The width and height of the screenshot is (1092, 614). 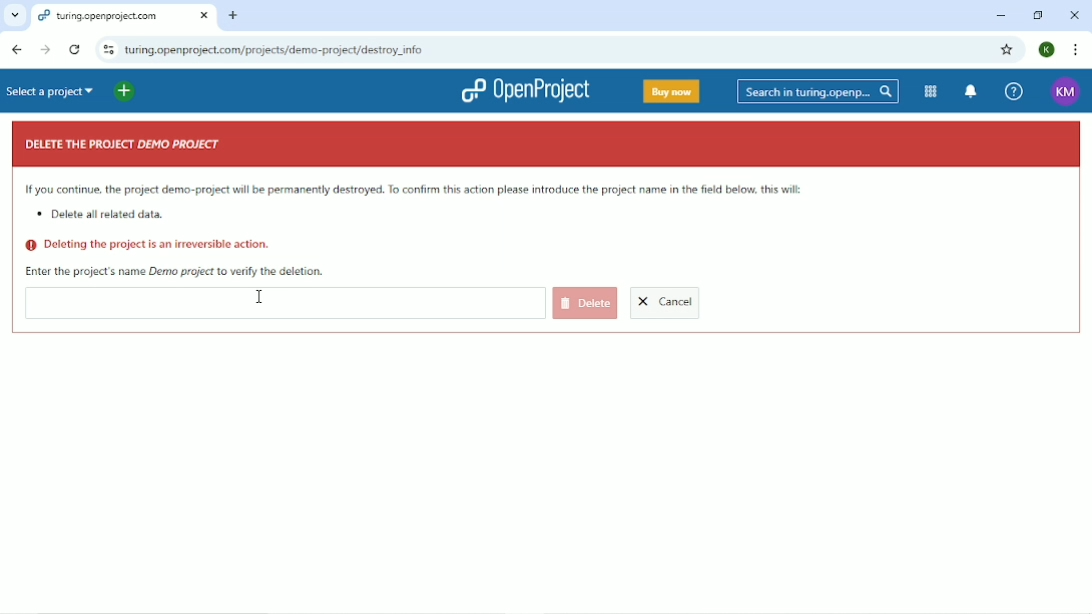 I want to click on Modules, so click(x=931, y=91).